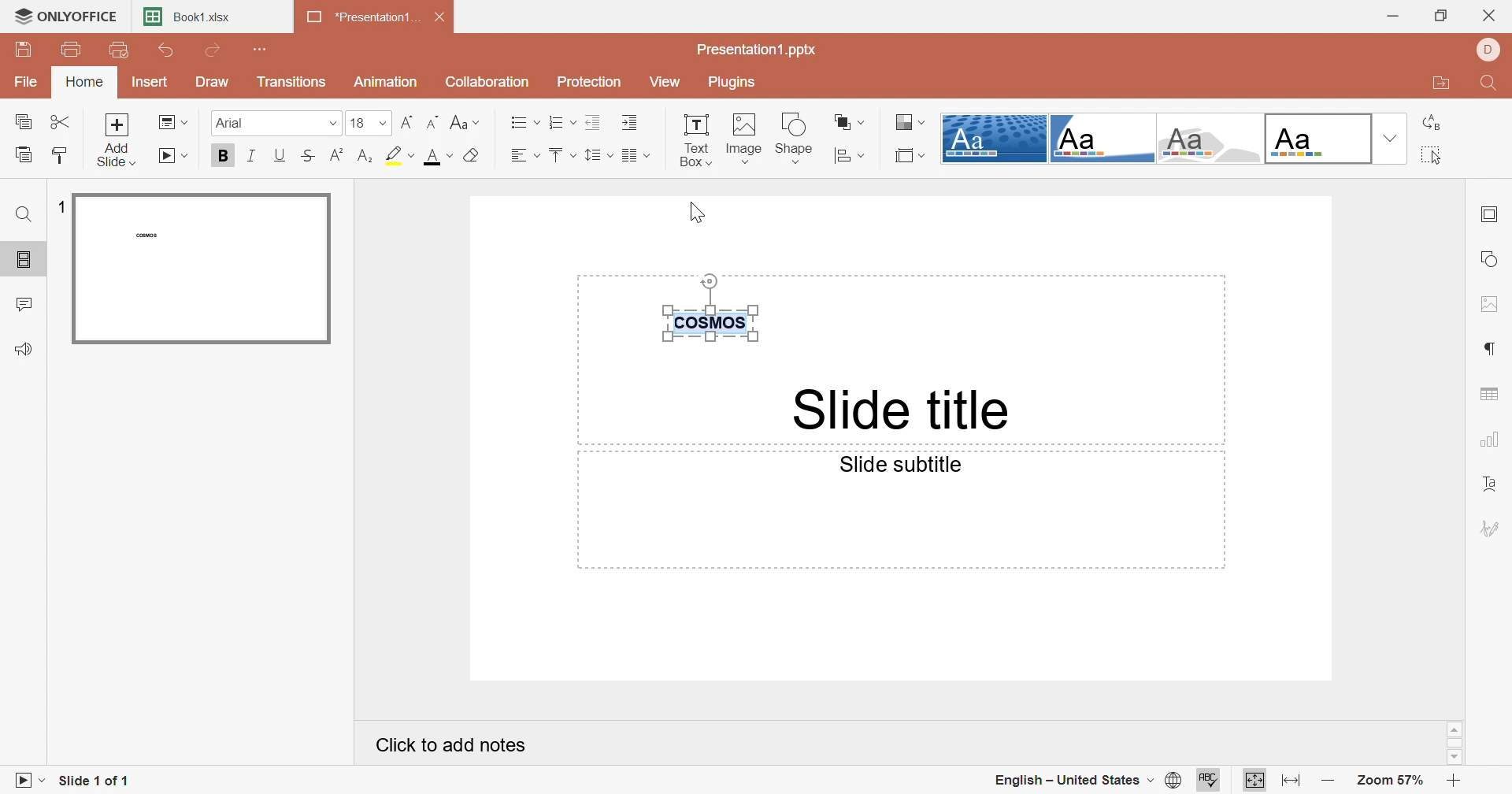 This screenshot has width=1512, height=794. What do you see at coordinates (224, 155) in the screenshot?
I see `Bold` at bounding box center [224, 155].